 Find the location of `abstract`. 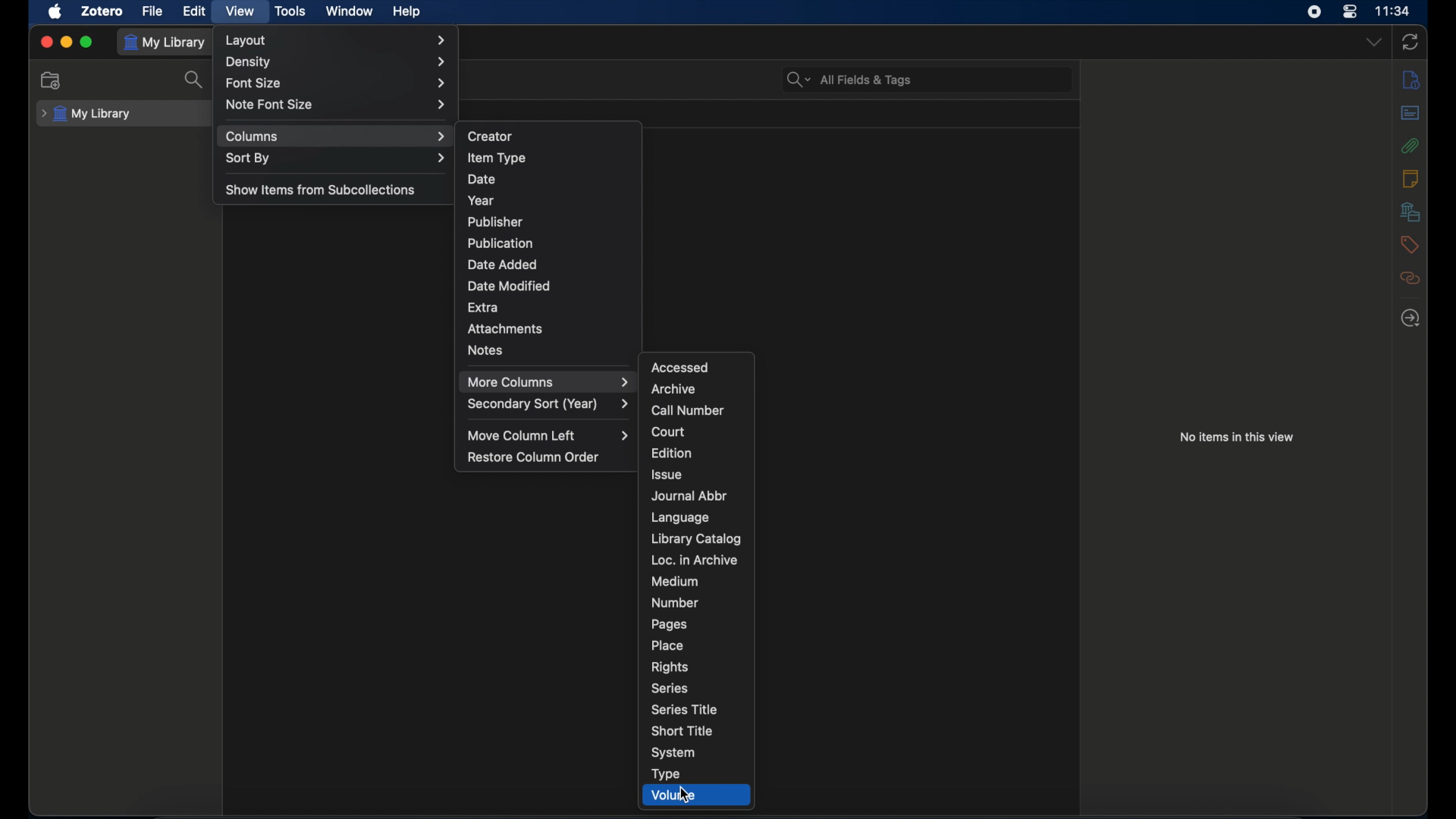

abstract is located at coordinates (1410, 113).